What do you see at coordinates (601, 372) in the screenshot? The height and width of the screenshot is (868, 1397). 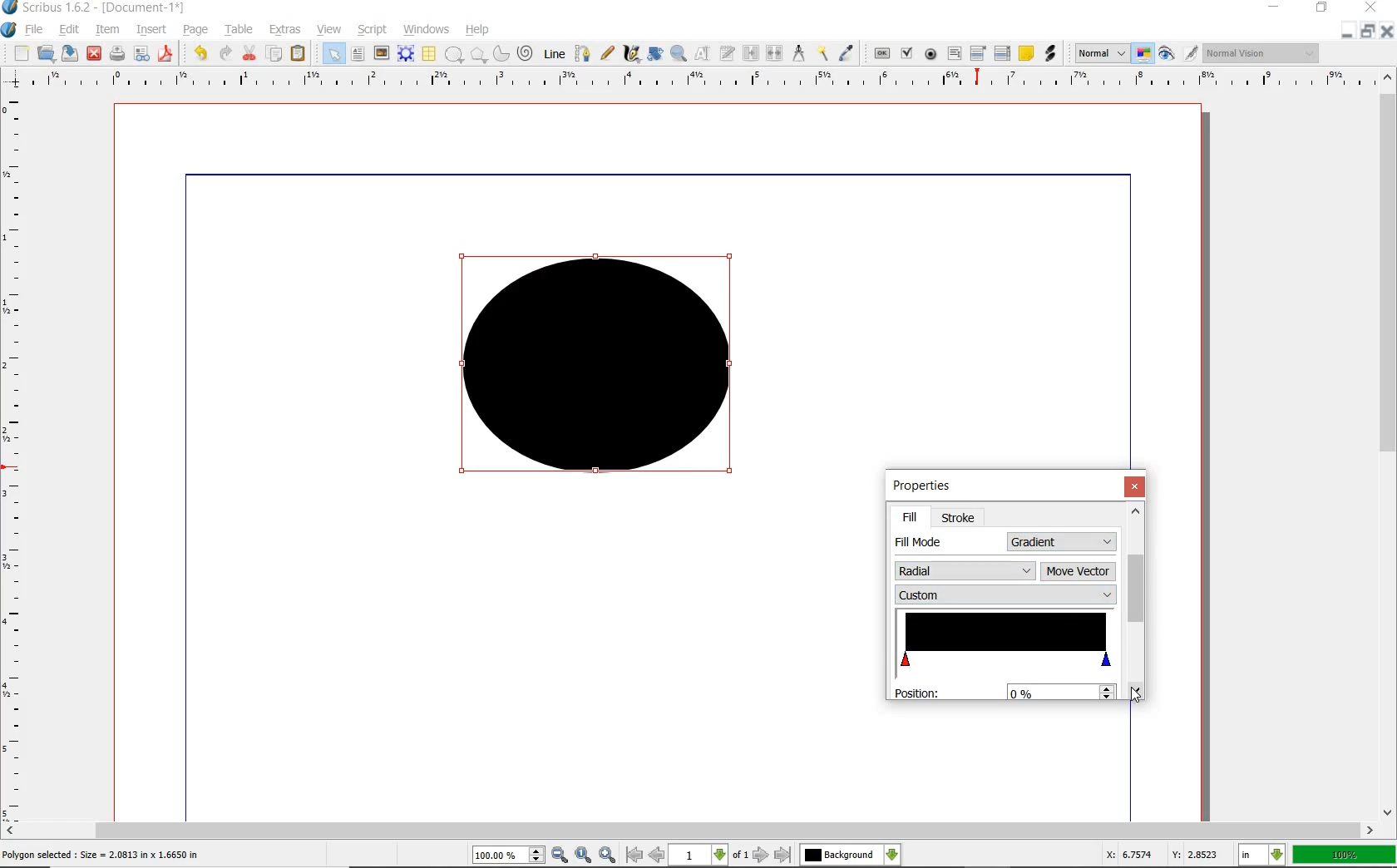 I see `gradient added` at bounding box center [601, 372].